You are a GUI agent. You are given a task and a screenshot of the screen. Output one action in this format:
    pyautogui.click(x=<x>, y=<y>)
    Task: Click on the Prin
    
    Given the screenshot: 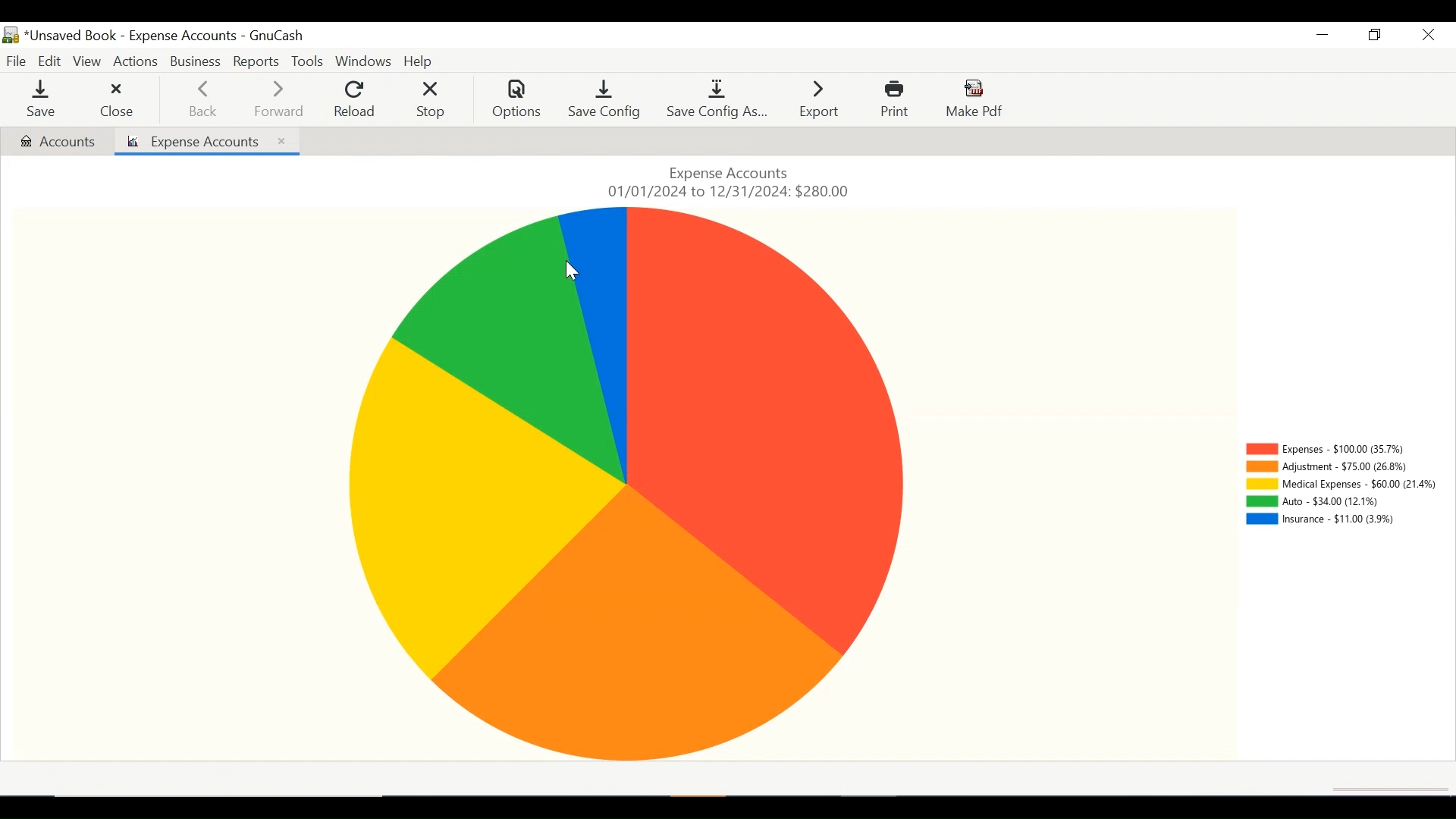 What is the action you would take?
    pyautogui.click(x=894, y=99)
    